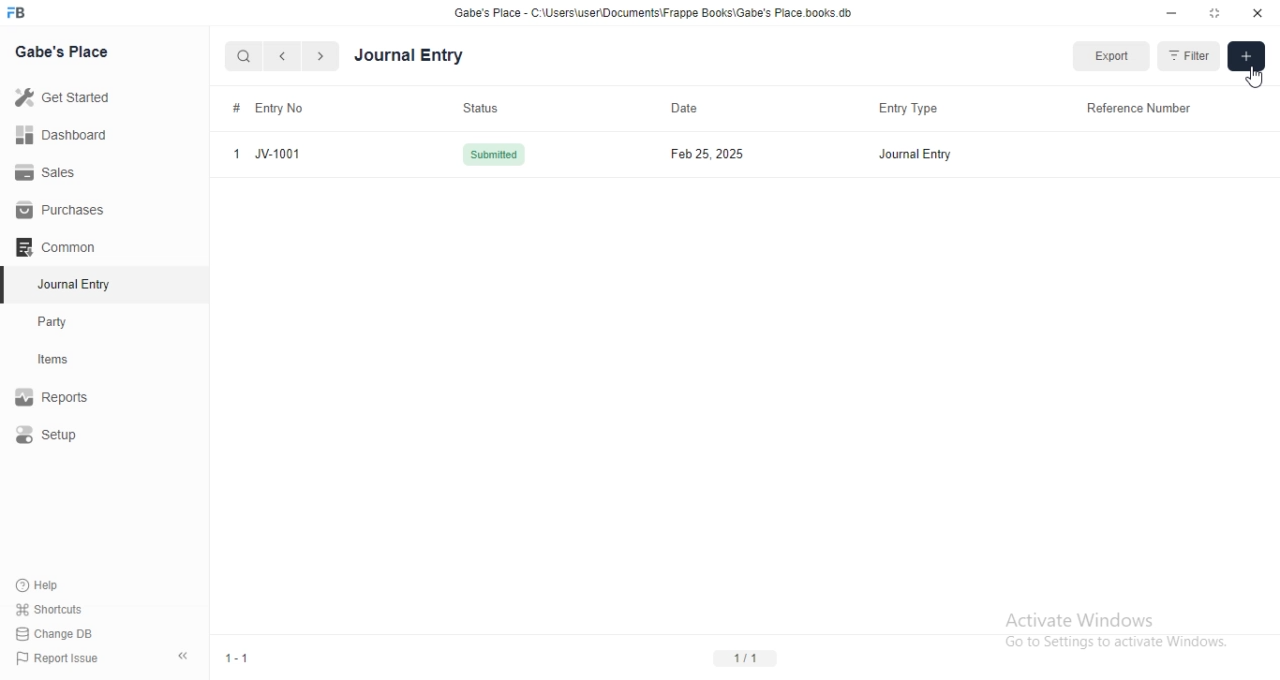 This screenshot has height=680, width=1280. I want to click on resize, so click(1211, 12).